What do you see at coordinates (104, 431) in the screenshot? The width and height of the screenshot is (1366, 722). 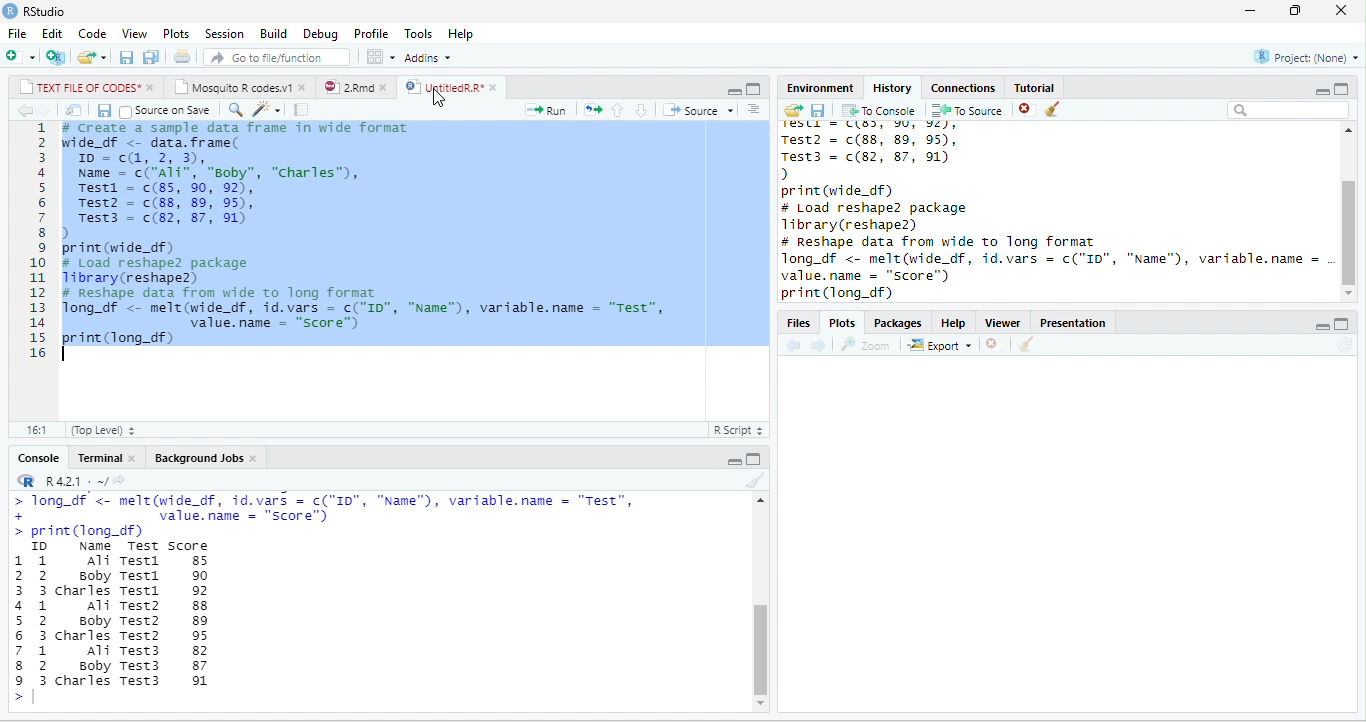 I see `Top Level` at bounding box center [104, 431].